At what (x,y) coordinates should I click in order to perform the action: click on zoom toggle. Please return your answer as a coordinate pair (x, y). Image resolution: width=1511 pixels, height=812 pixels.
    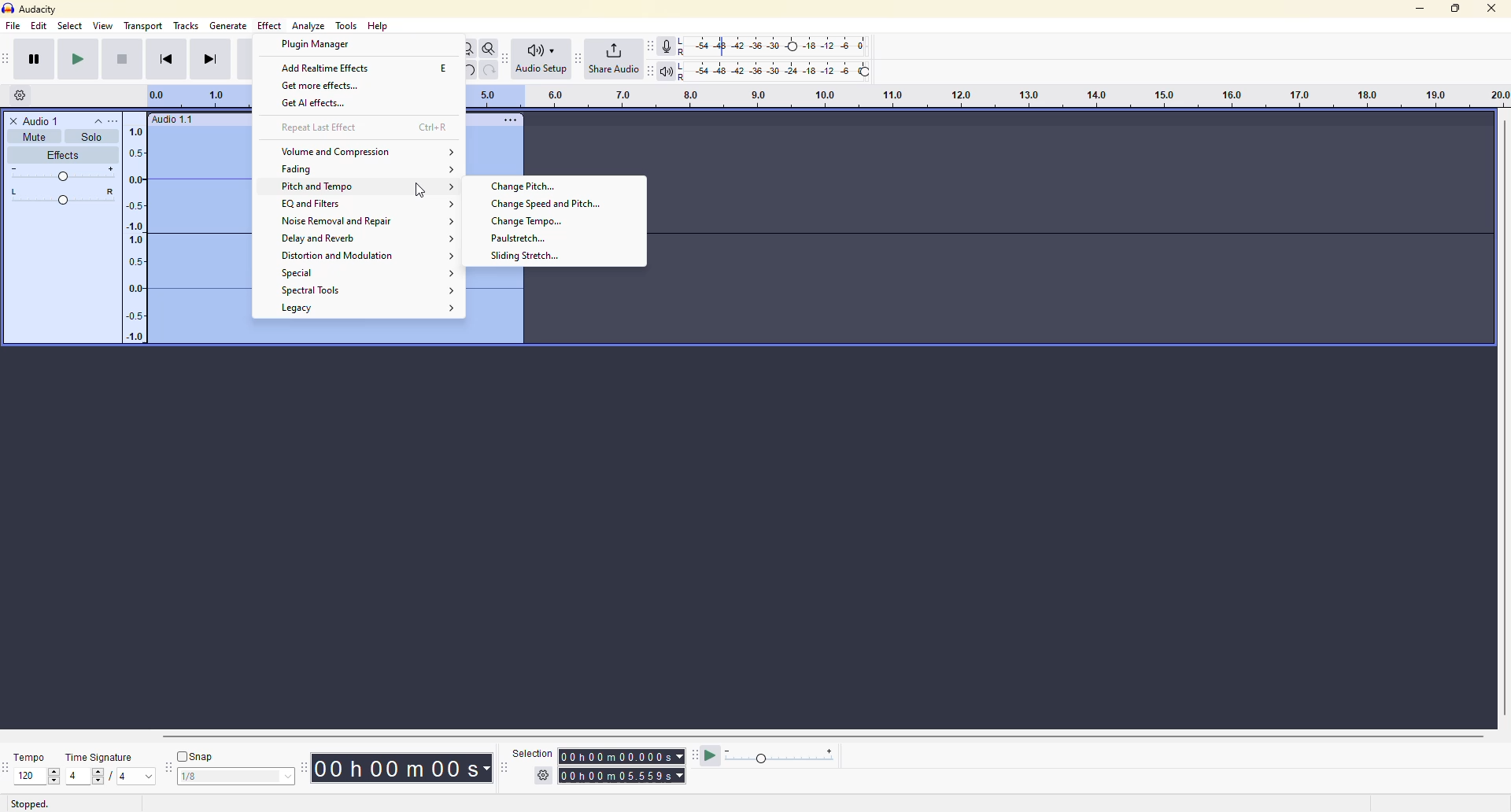
    Looking at the image, I should click on (490, 48).